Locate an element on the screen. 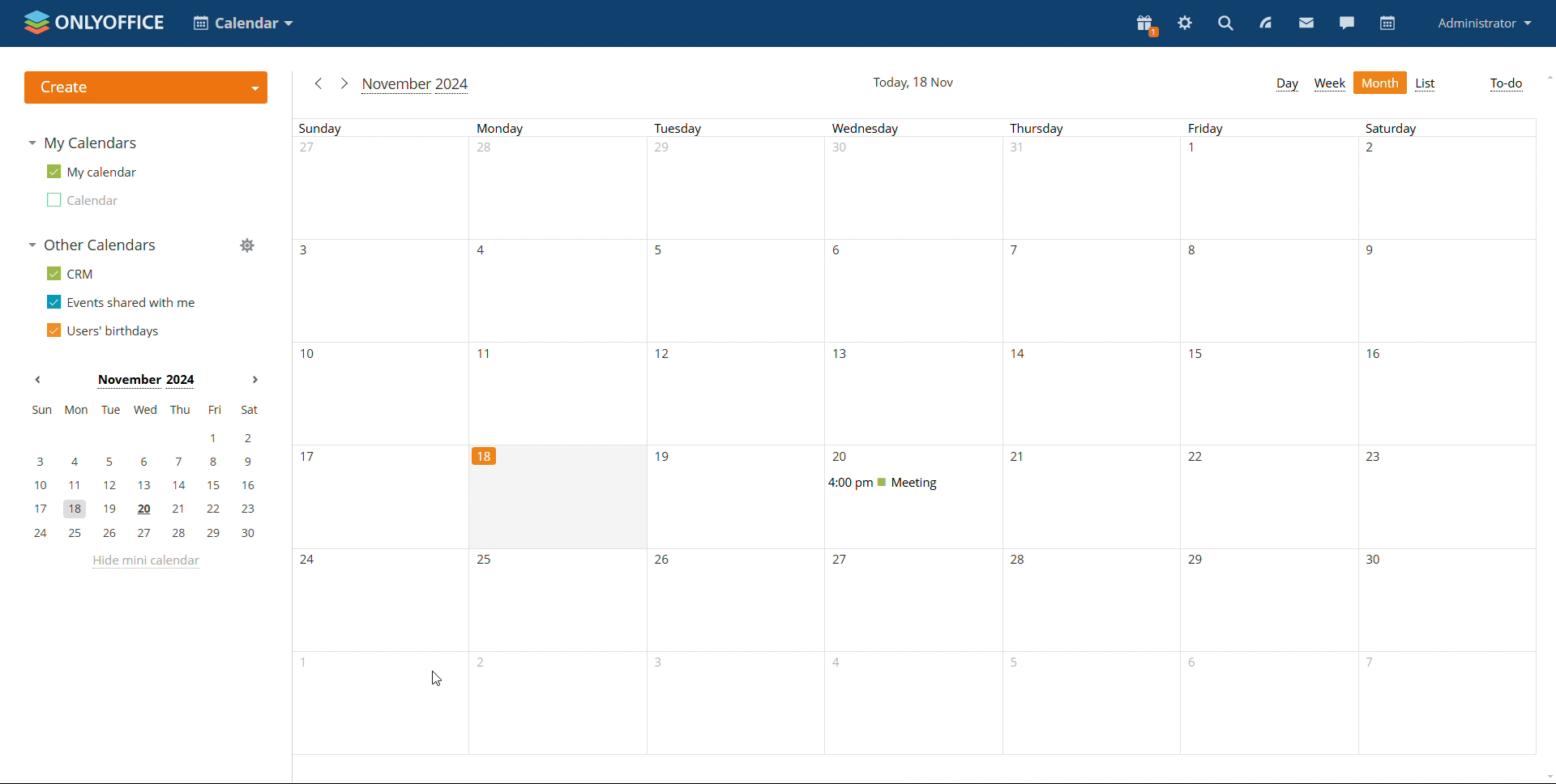  calendar is located at coordinates (1389, 23).